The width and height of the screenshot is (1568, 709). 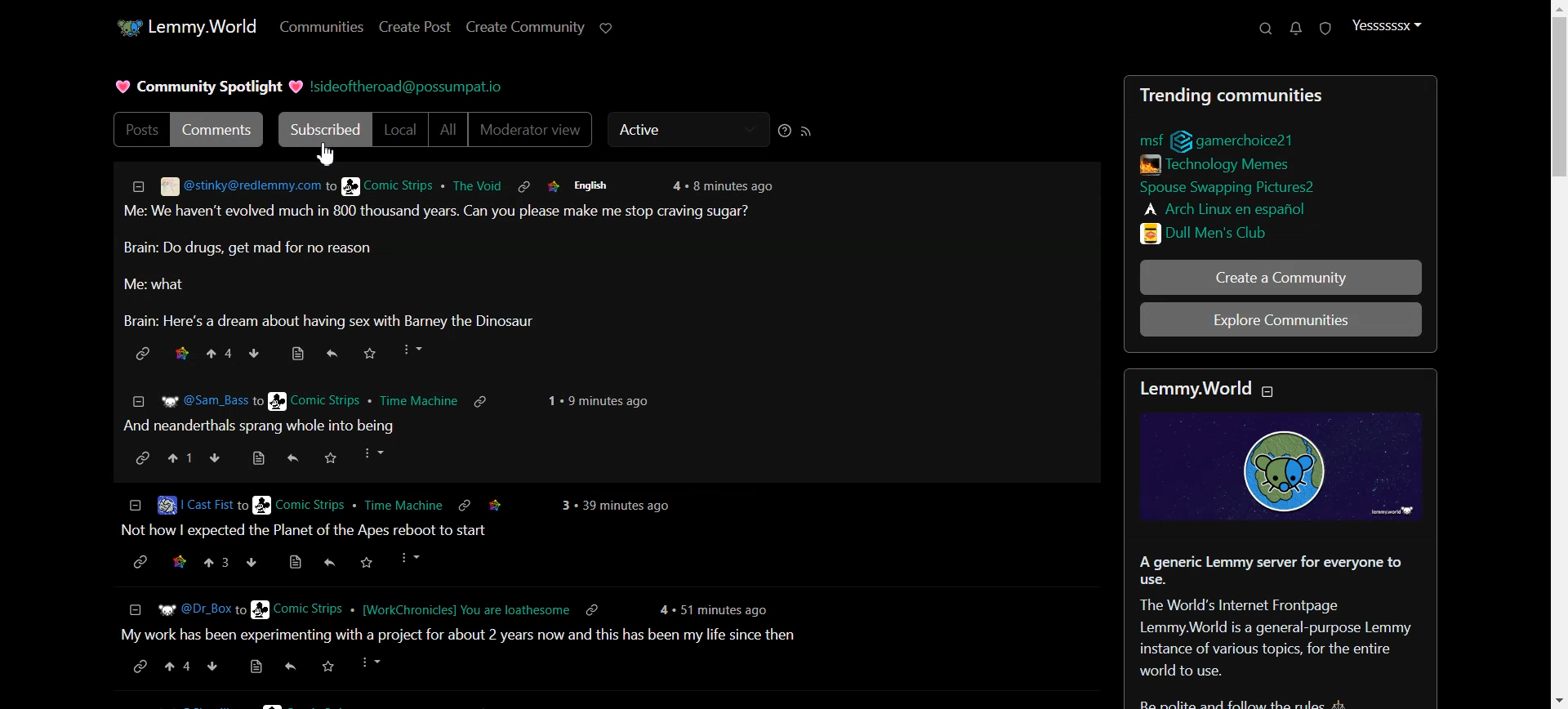 I want to click on text, so click(x=1208, y=387).